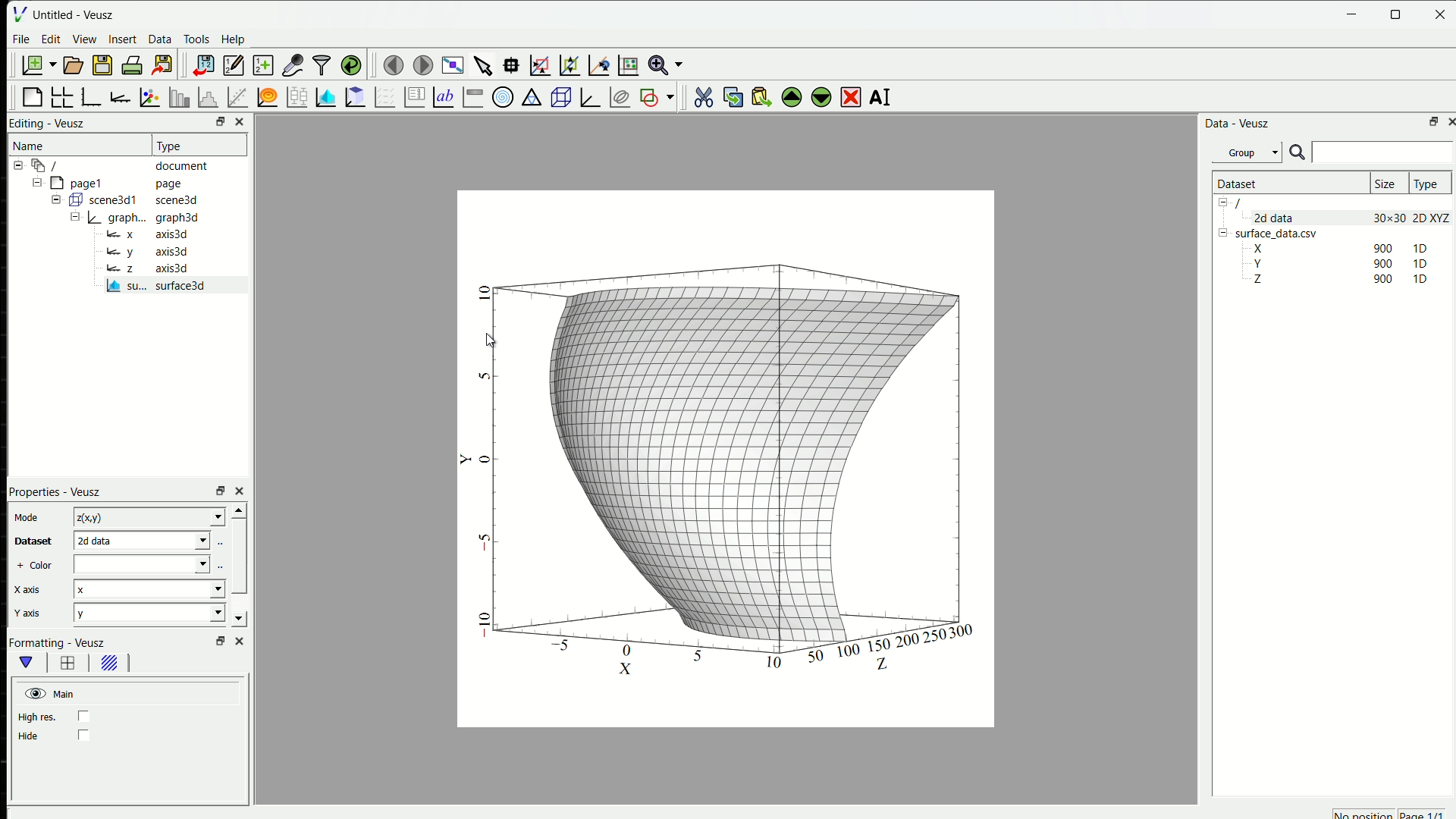  What do you see at coordinates (204, 564) in the screenshot?
I see `Drop-down ` at bounding box center [204, 564].